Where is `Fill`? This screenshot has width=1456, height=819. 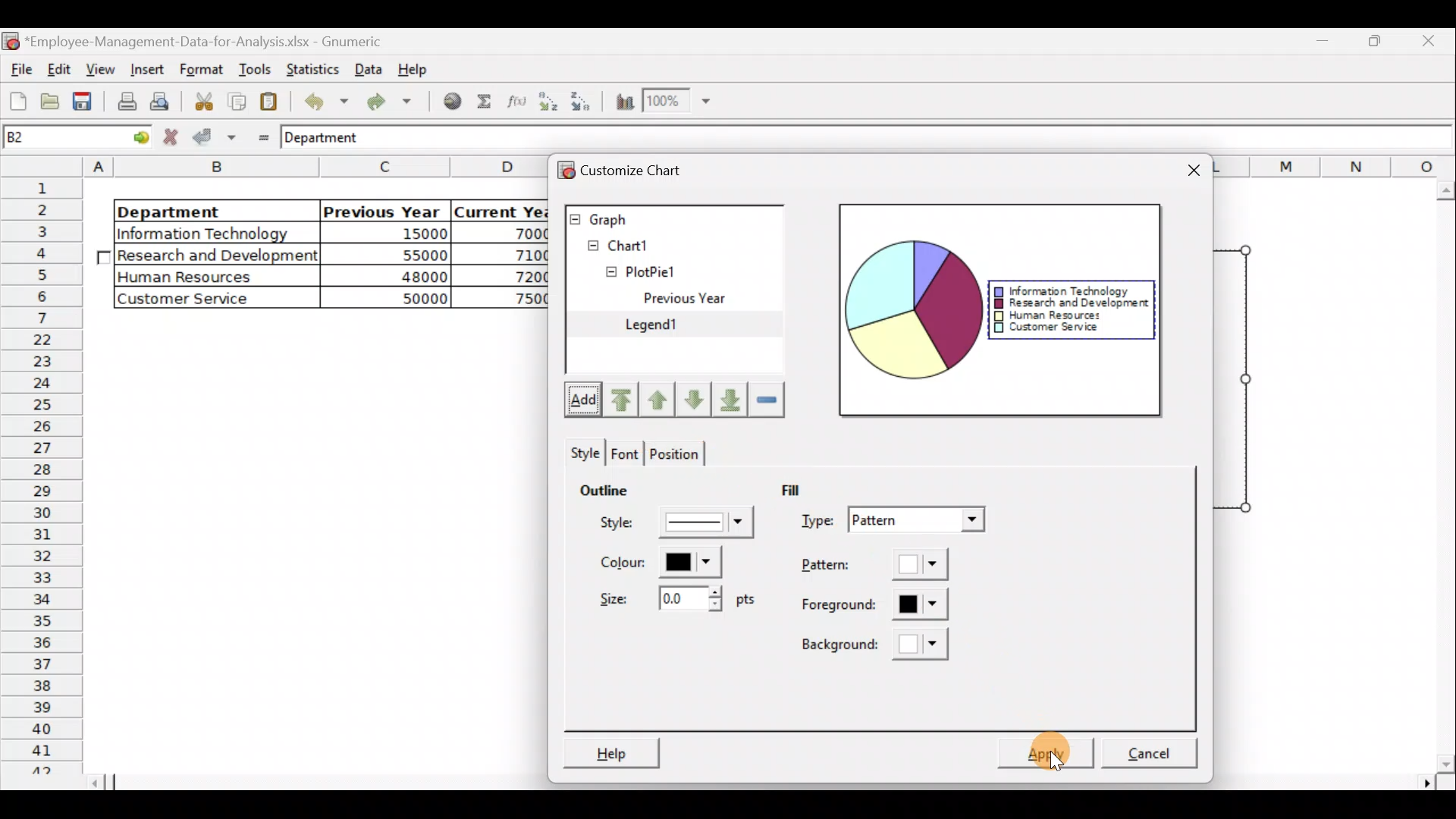 Fill is located at coordinates (804, 491).